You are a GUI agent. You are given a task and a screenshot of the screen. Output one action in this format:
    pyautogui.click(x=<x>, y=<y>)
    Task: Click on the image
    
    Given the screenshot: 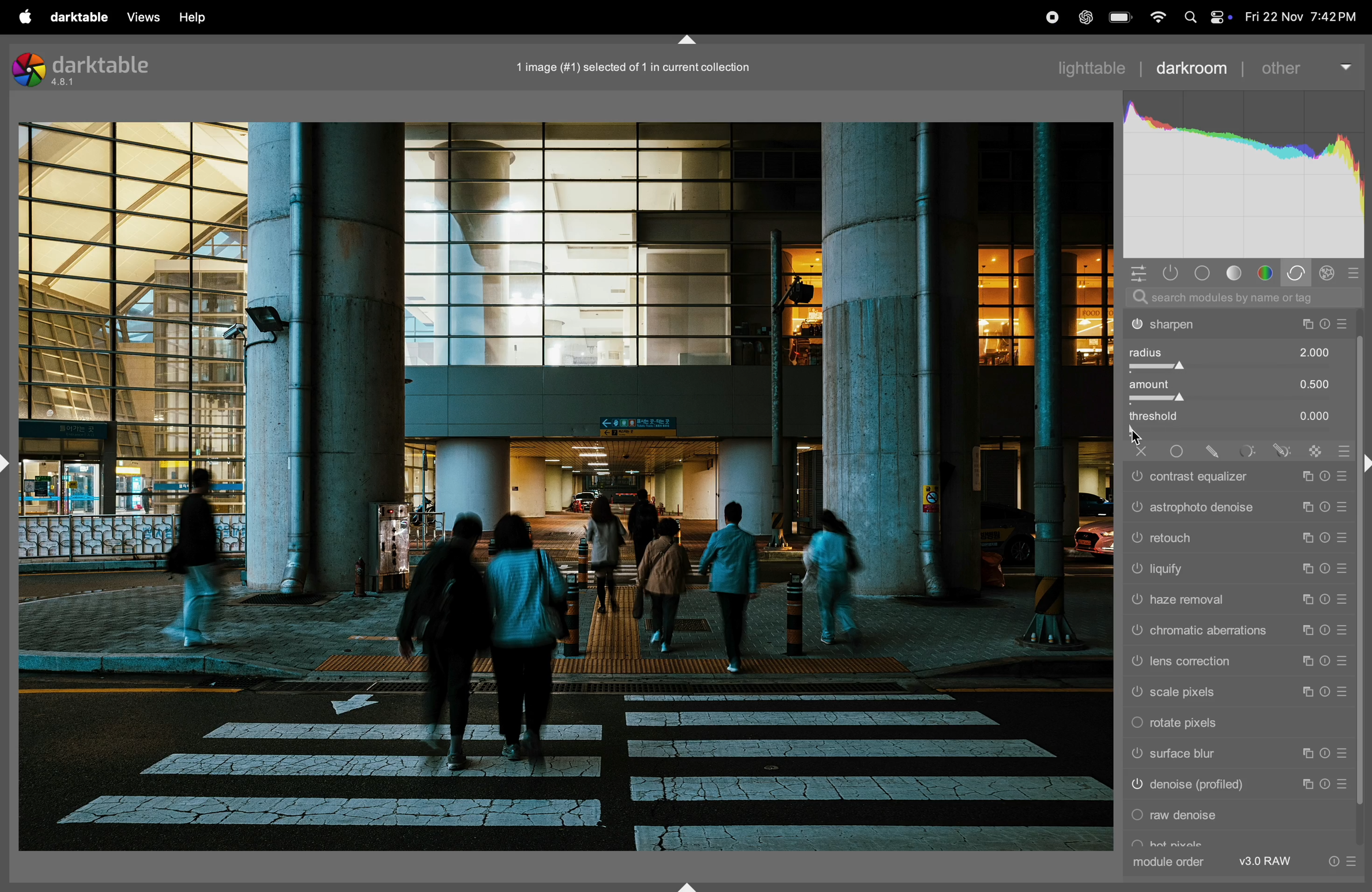 What is the action you would take?
    pyautogui.click(x=566, y=487)
    